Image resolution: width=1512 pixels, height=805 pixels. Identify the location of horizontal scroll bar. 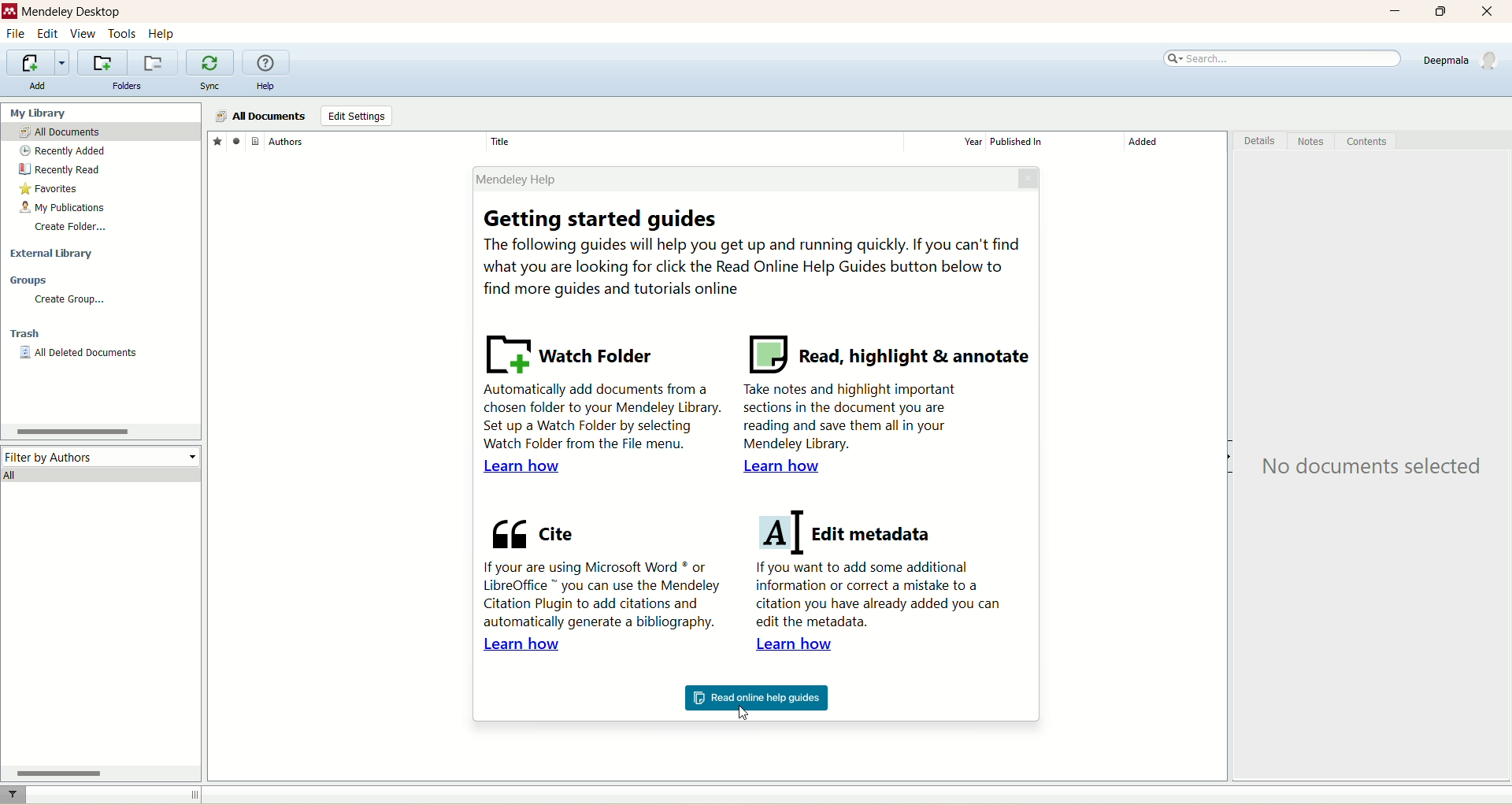
(101, 432).